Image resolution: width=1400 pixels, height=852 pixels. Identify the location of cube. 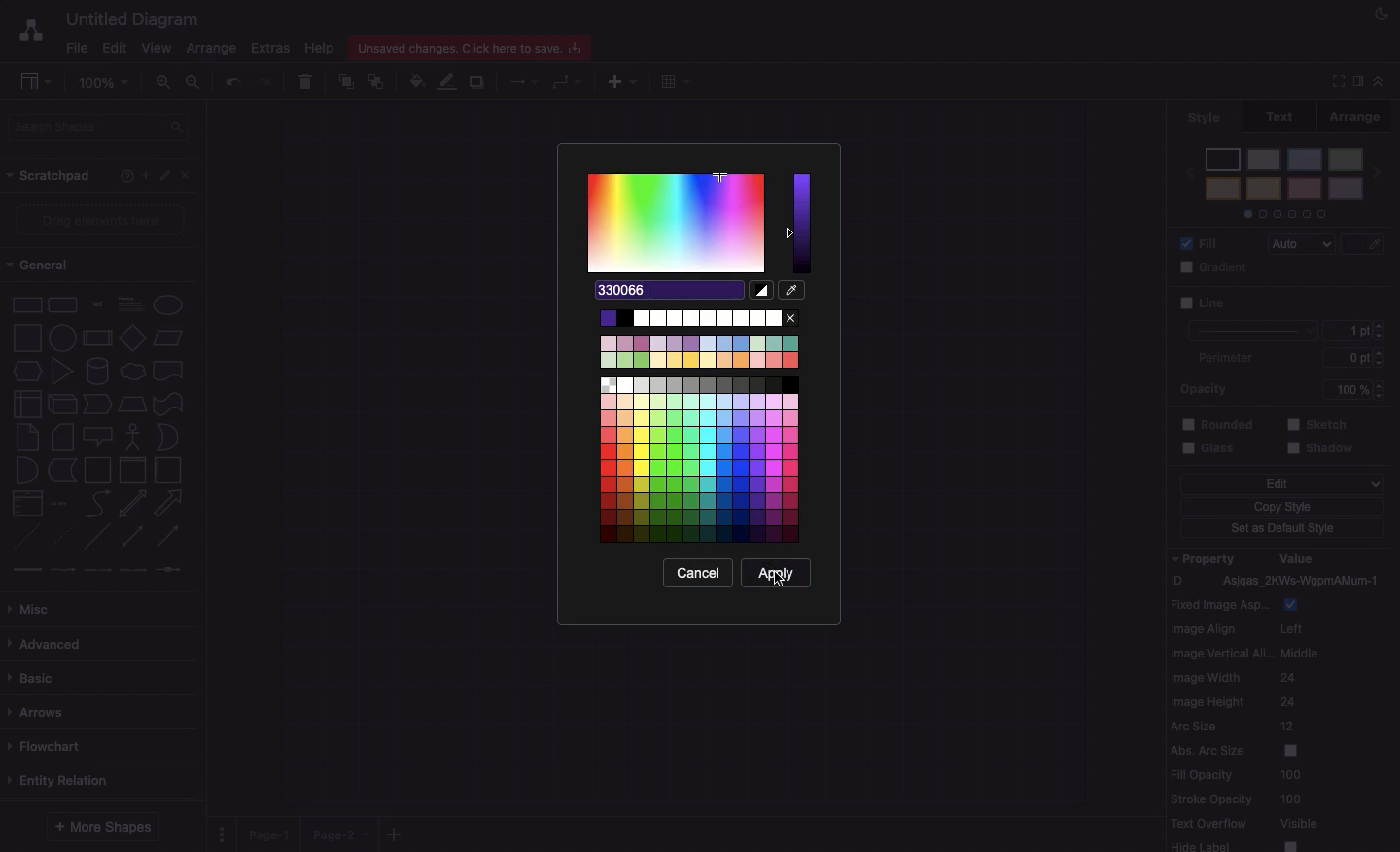
(60, 404).